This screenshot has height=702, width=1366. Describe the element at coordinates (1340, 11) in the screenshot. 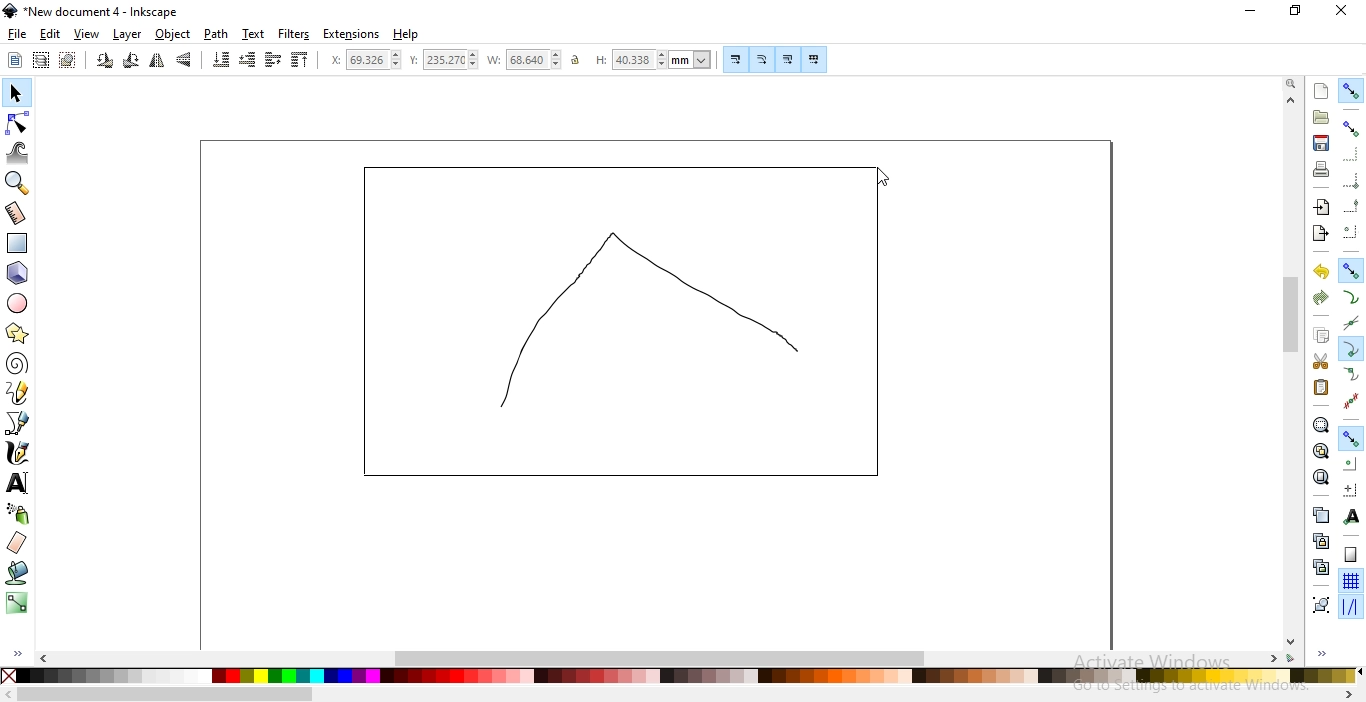

I see `close` at that location.